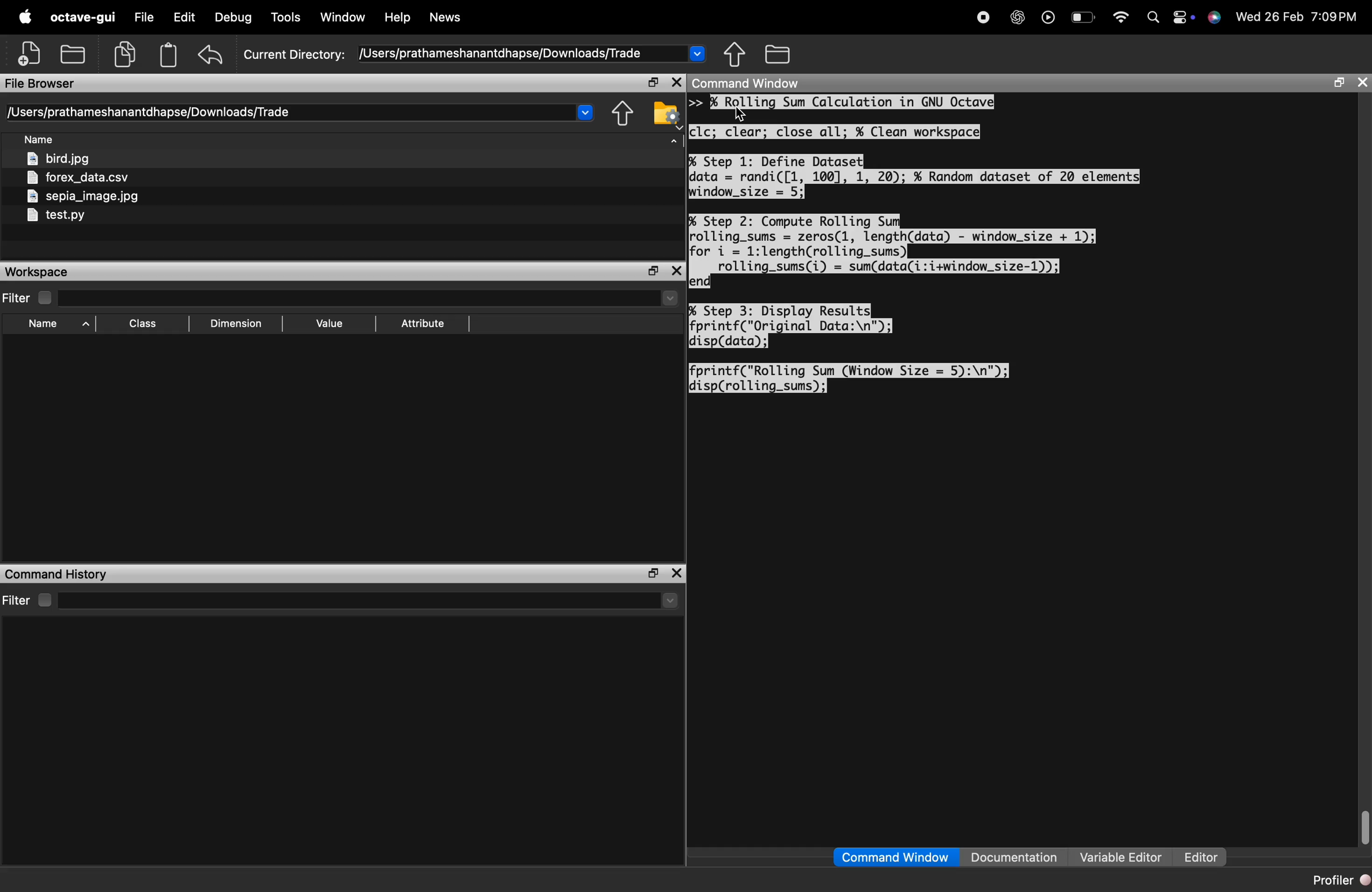 The width and height of the screenshot is (1372, 892). Describe the element at coordinates (375, 602) in the screenshot. I see `select directory` at that location.